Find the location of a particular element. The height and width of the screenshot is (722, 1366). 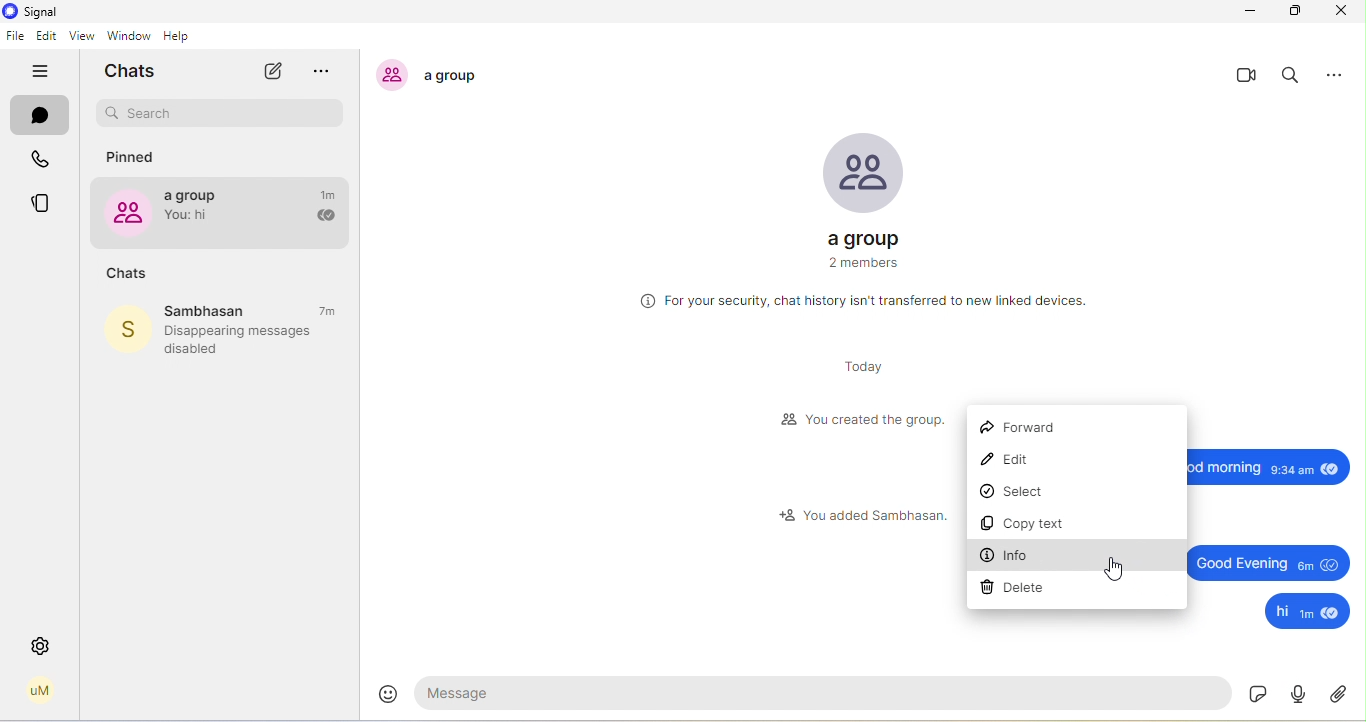

forward is located at coordinates (1023, 428).